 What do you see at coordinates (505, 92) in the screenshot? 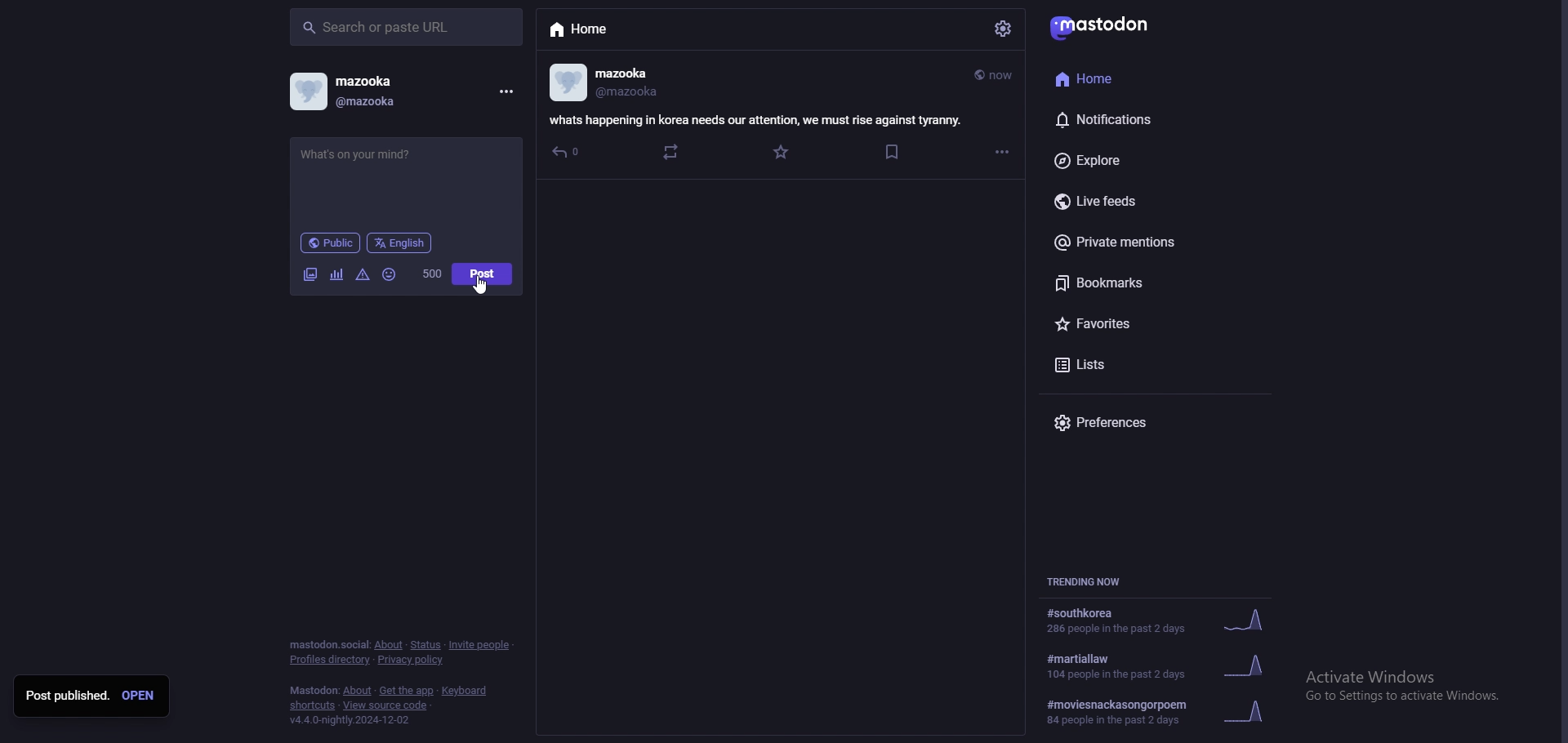
I see `menu` at bounding box center [505, 92].